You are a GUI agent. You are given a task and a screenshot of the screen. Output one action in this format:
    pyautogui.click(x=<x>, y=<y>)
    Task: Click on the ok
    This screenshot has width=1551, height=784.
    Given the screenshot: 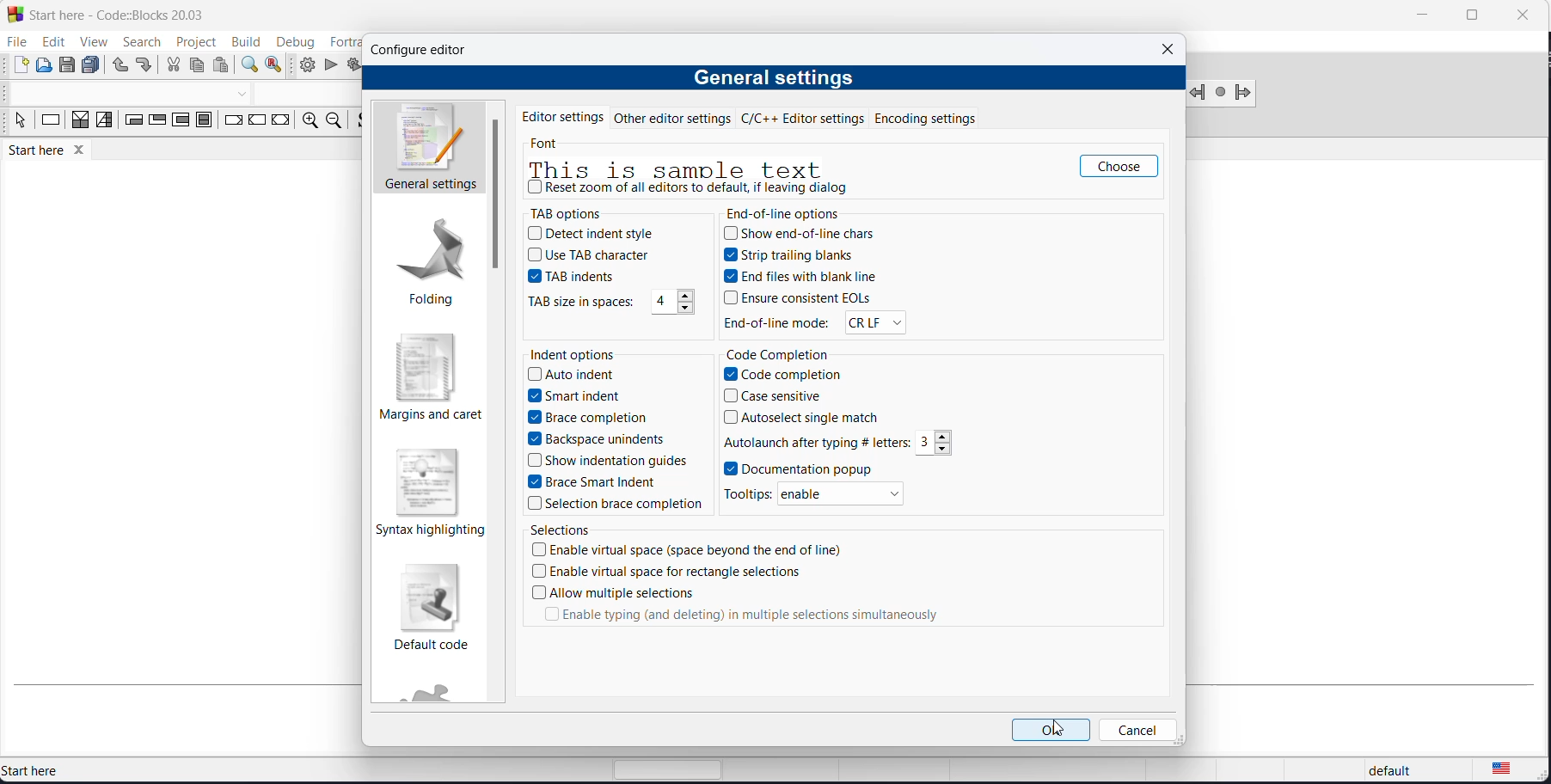 What is the action you would take?
    pyautogui.click(x=1053, y=730)
    